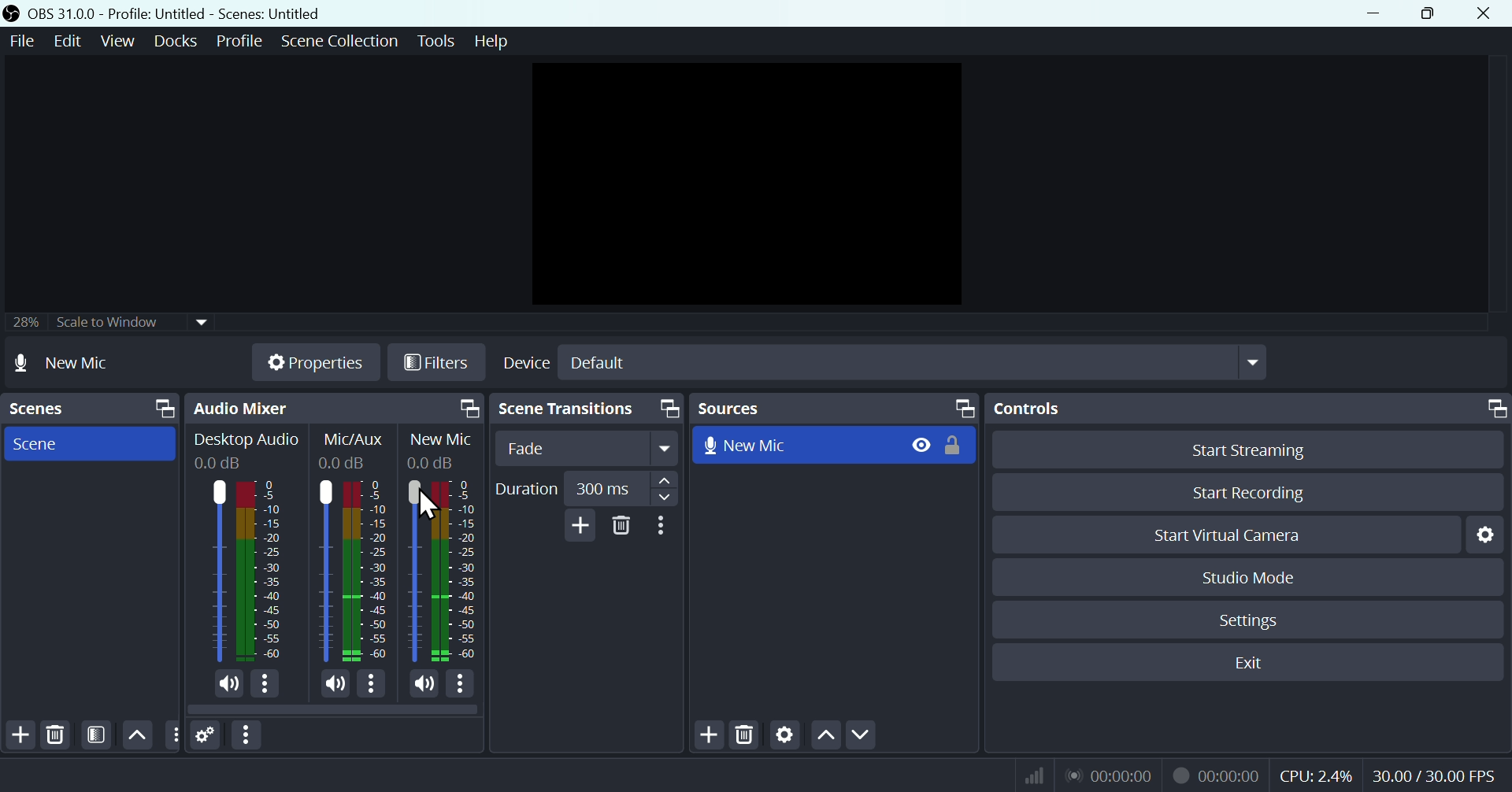 Image resolution: width=1512 pixels, height=792 pixels. Describe the element at coordinates (1252, 620) in the screenshot. I see `Settings` at that location.